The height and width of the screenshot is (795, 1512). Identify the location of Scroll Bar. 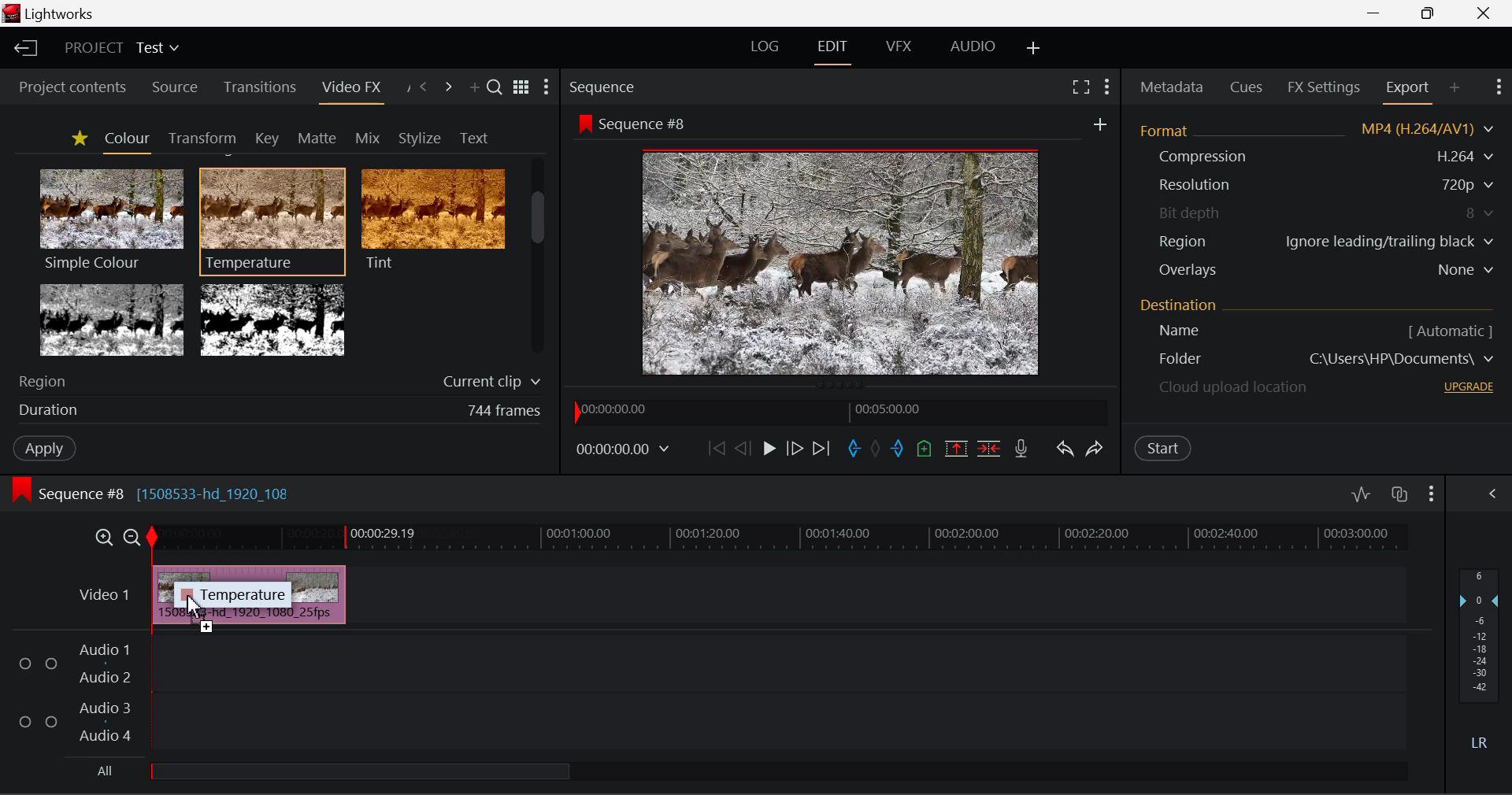
(539, 259).